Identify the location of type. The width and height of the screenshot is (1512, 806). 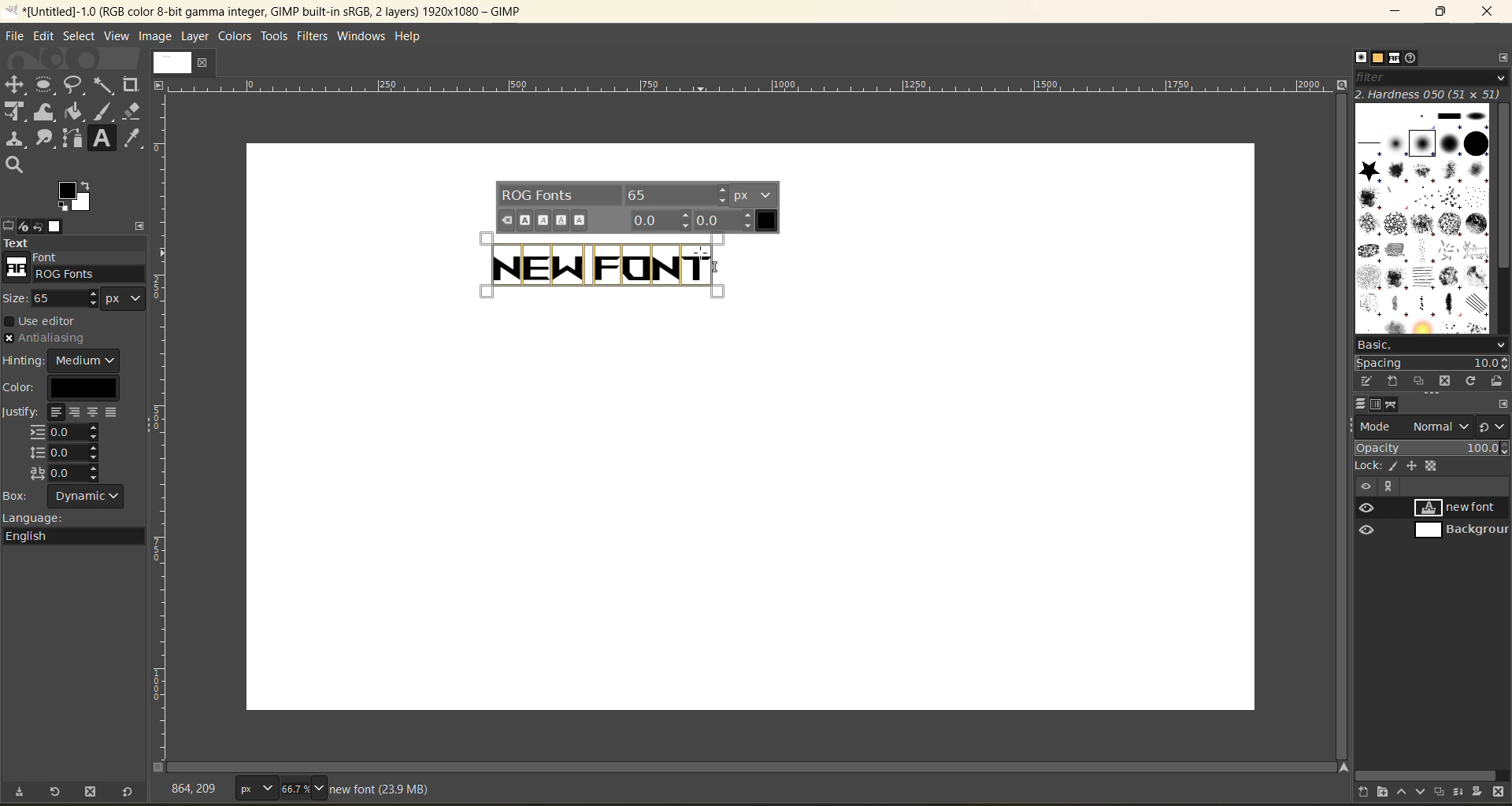
(255, 787).